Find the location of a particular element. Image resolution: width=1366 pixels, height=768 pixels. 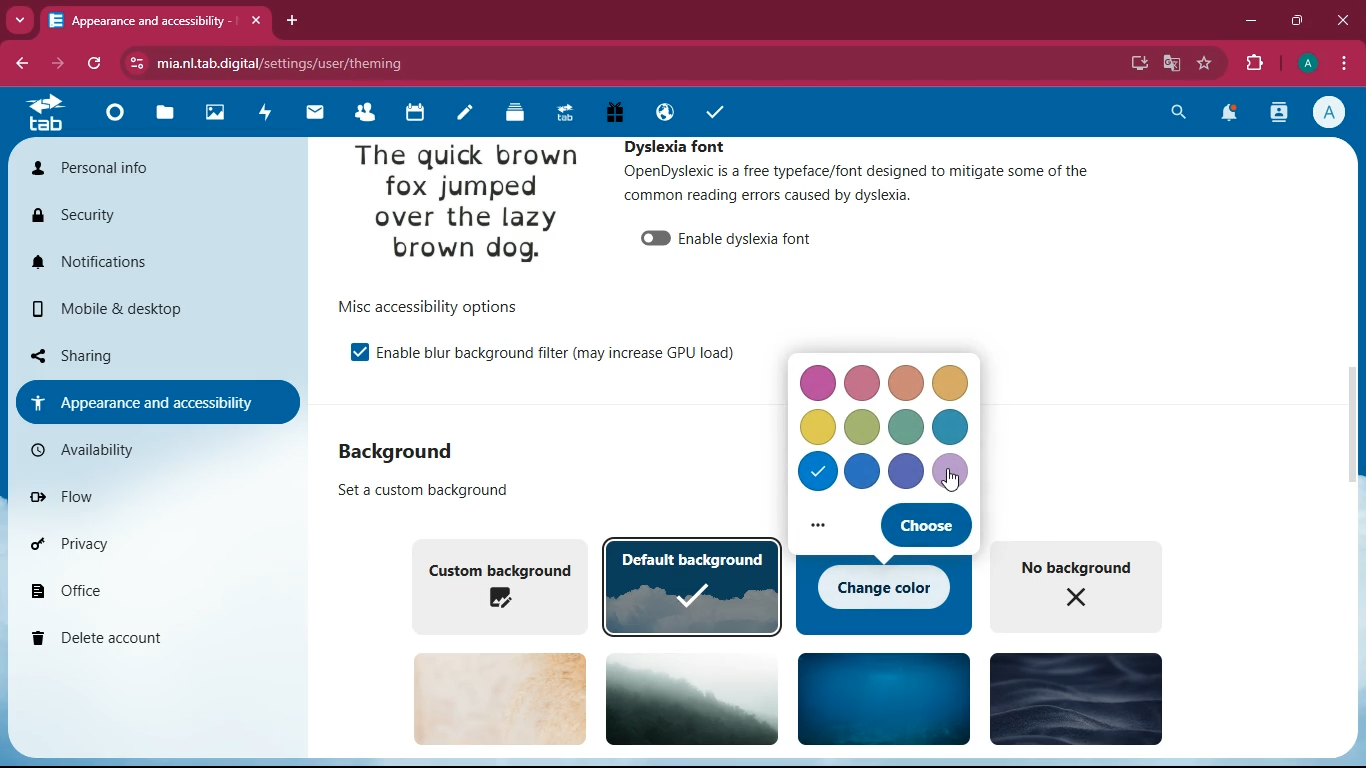

color is located at coordinates (907, 382).